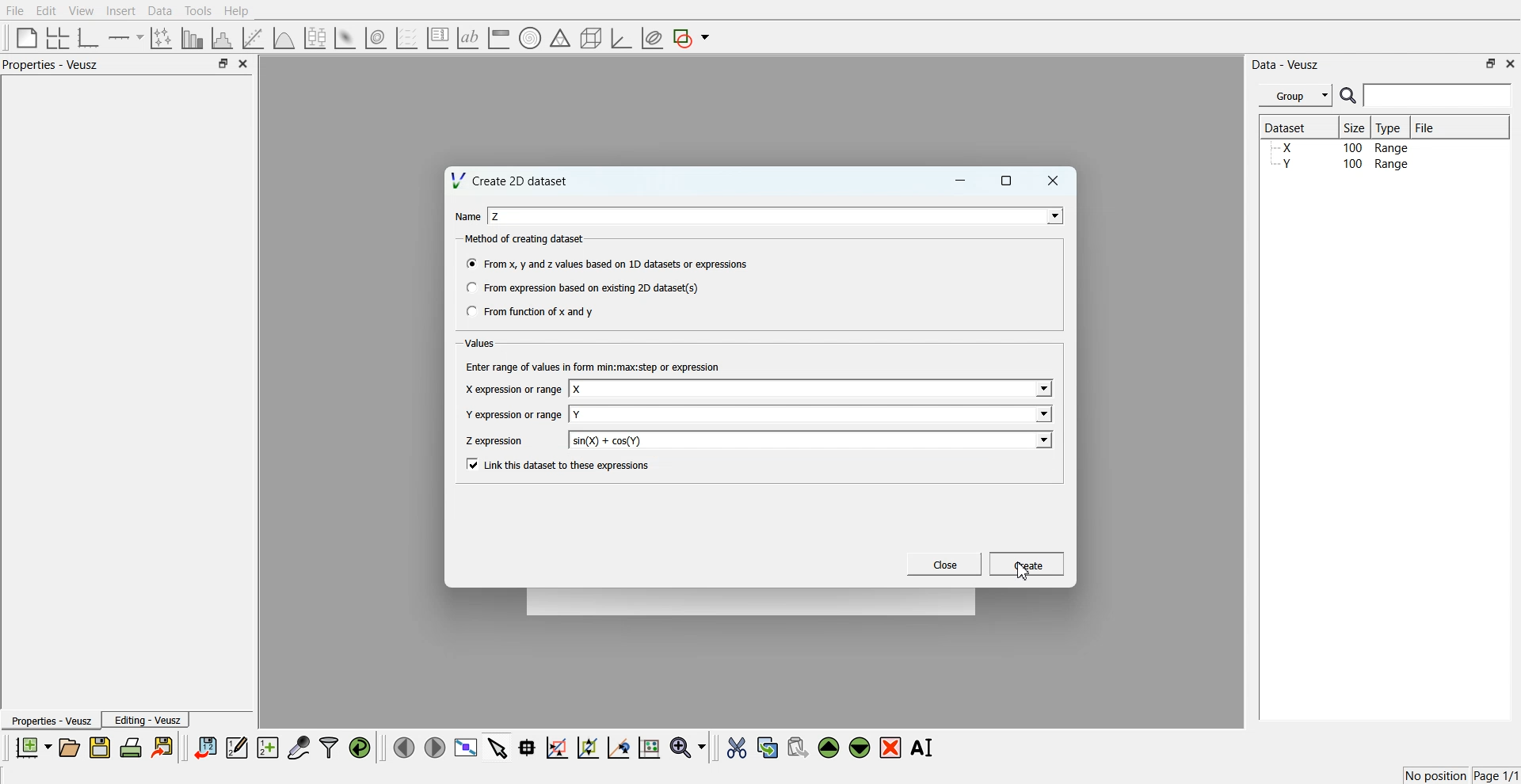 This screenshot has height=784, width=1521. I want to click on Maximize, so click(1491, 63).